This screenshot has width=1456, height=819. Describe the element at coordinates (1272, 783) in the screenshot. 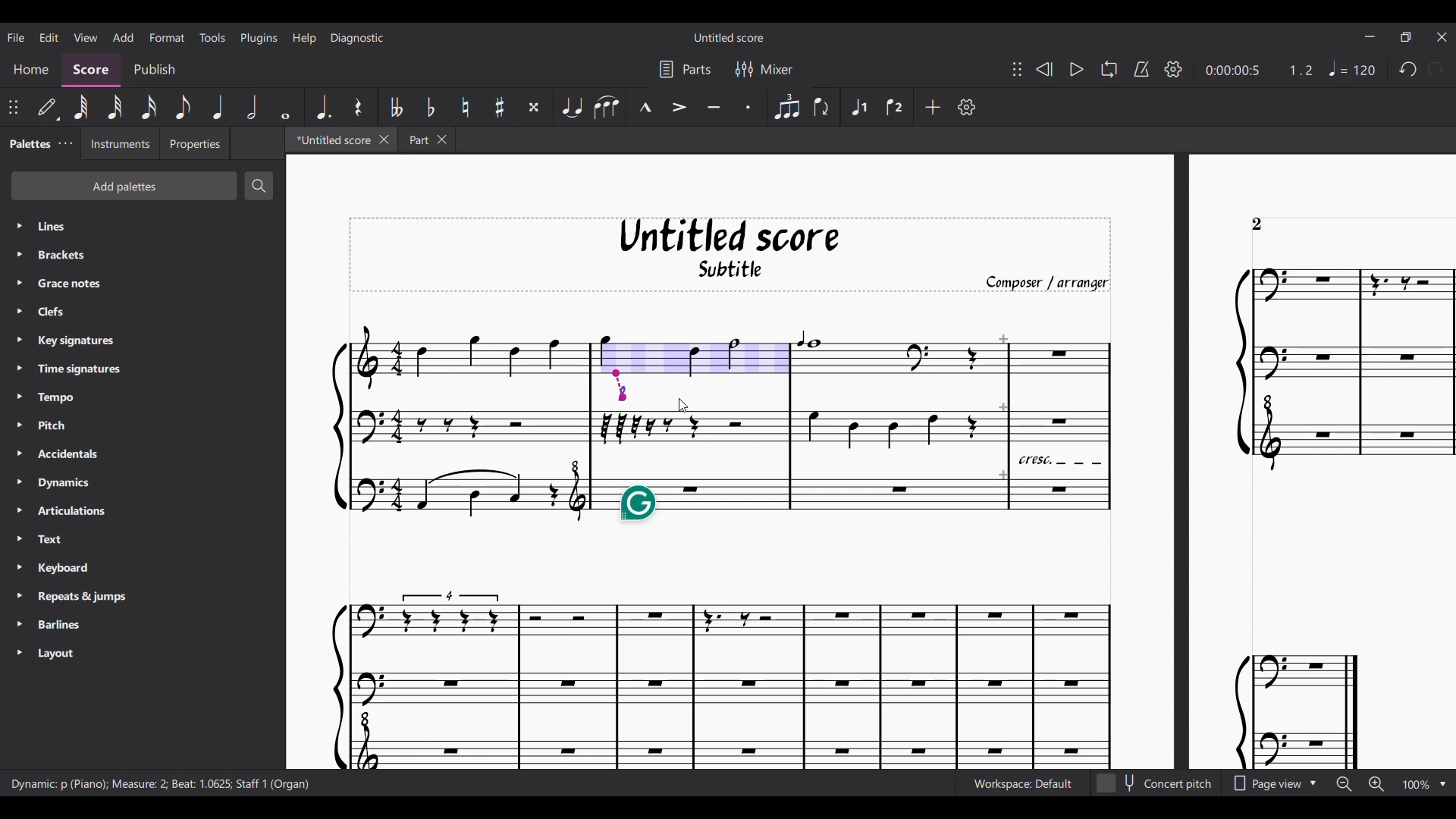

I see `Page view options` at that location.